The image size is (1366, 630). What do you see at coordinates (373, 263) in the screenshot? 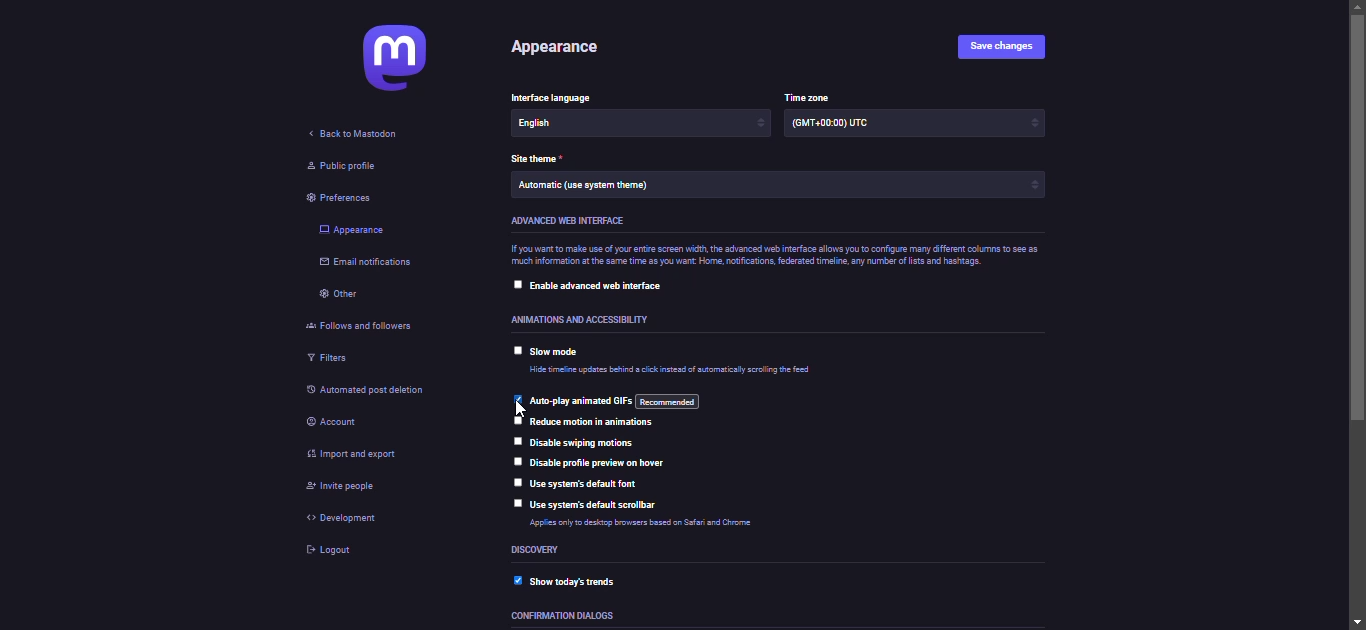
I see `email notifications` at bounding box center [373, 263].